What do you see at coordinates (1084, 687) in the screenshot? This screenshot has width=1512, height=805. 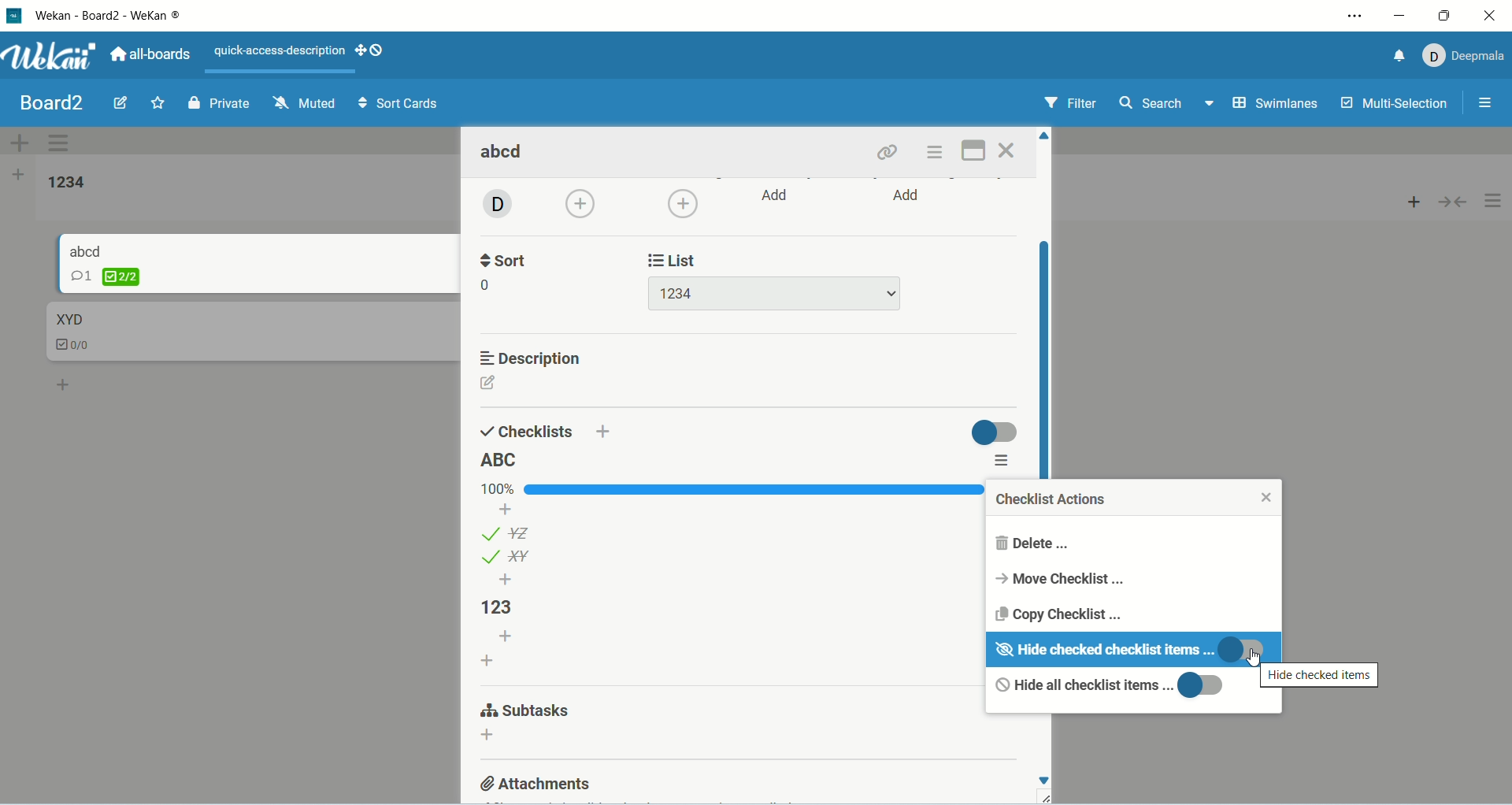 I see `hide all checklist items` at bounding box center [1084, 687].